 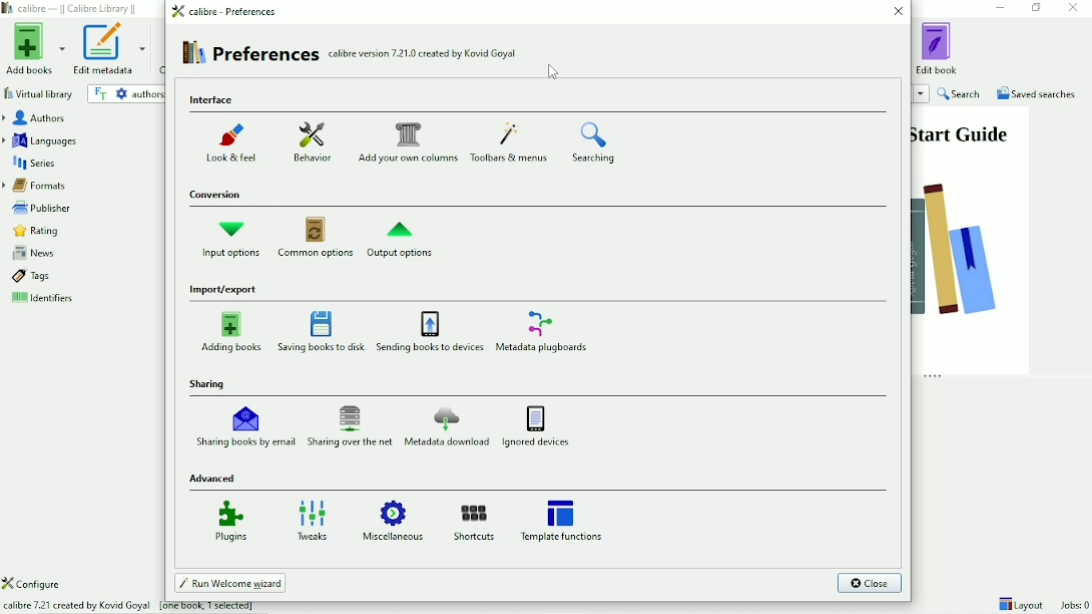 What do you see at coordinates (431, 333) in the screenshot?
I see `Sending books to devices` at bounding box center [431, 333].